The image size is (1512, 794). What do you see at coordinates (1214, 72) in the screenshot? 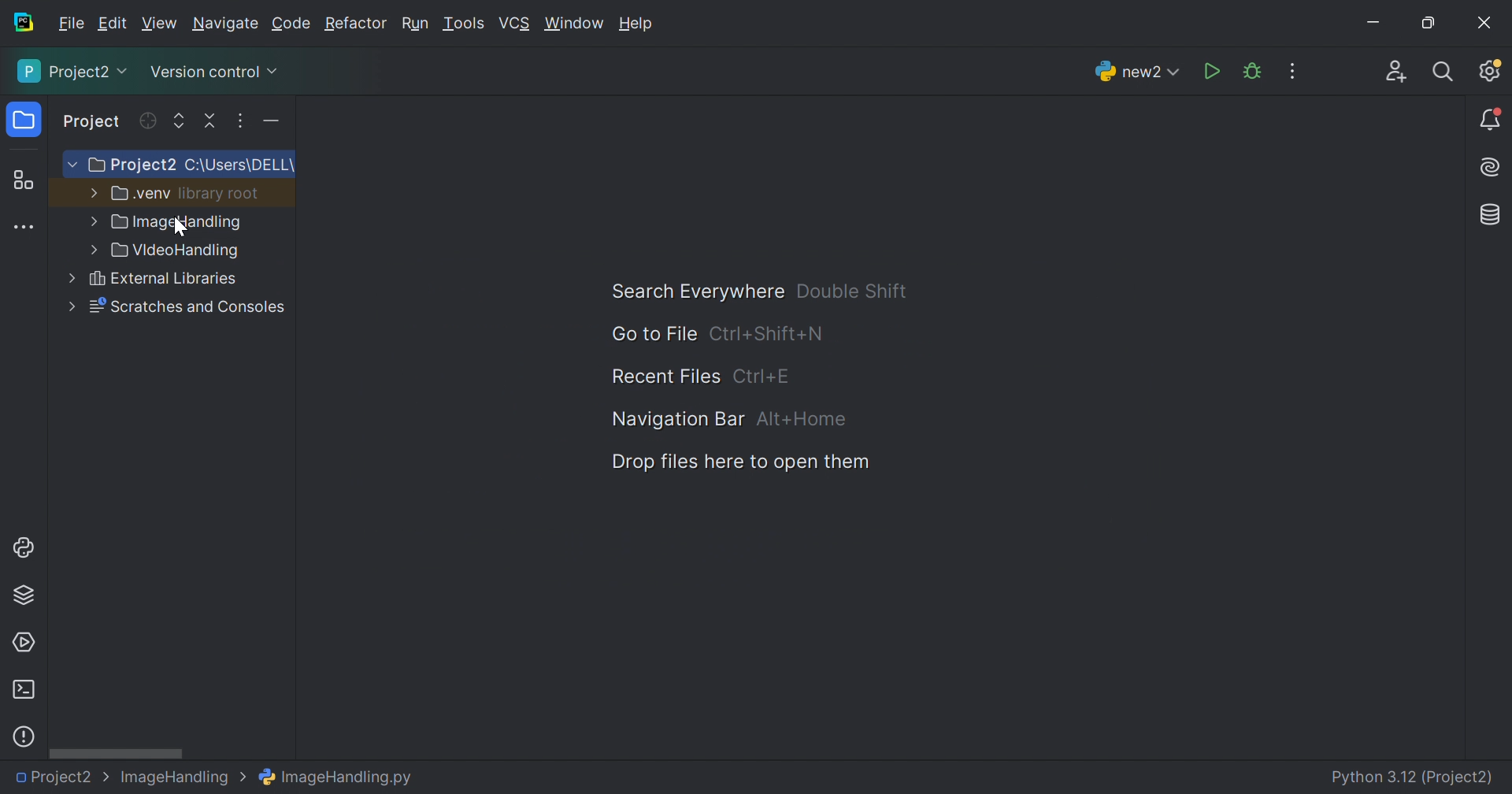
I see `Run` at bounding box center [1214, 72].